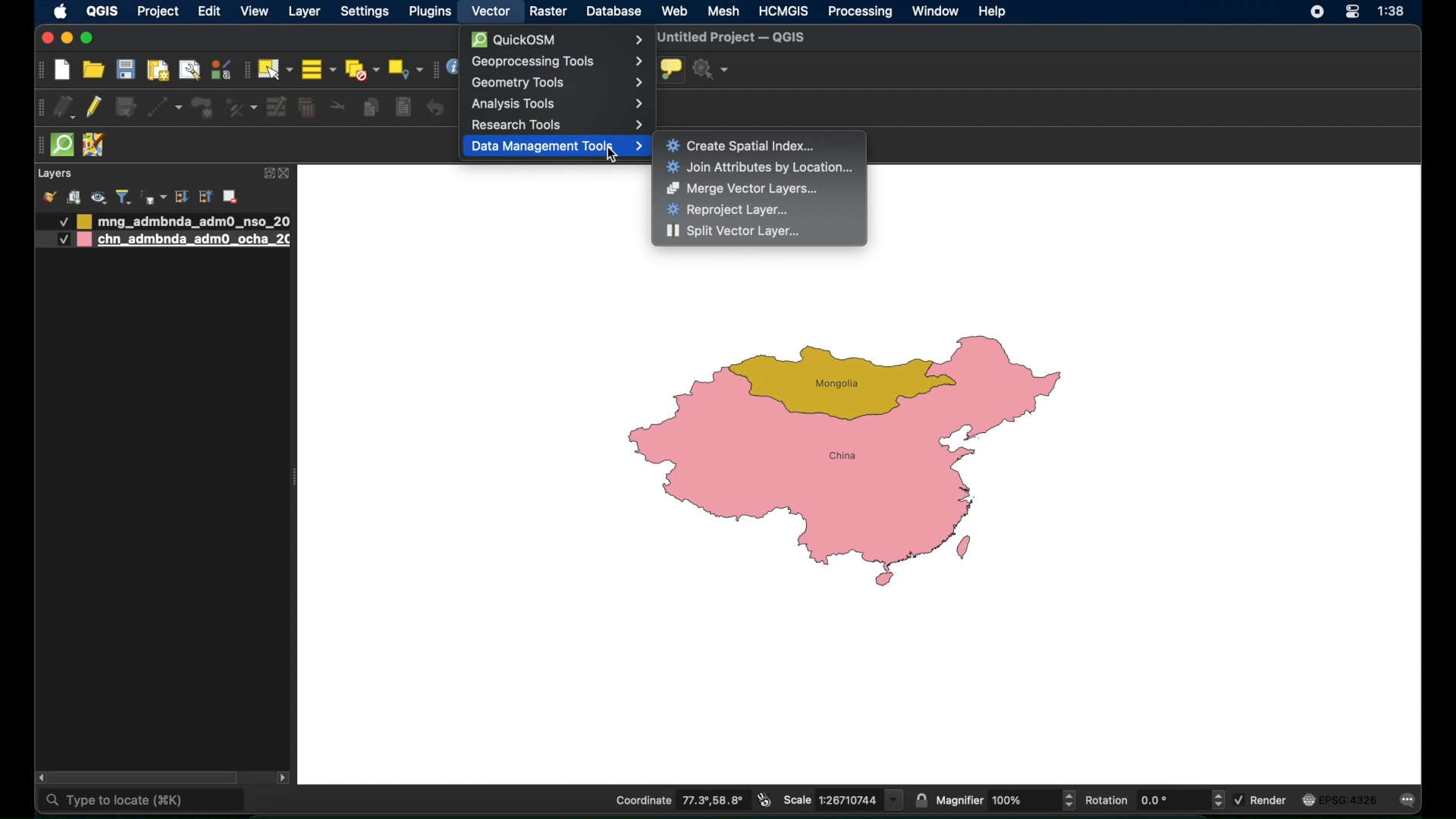  What do you see at coordinates (1006, 801) in the screenshot?
I see `magnifier` at bounding box center [1006, 801].